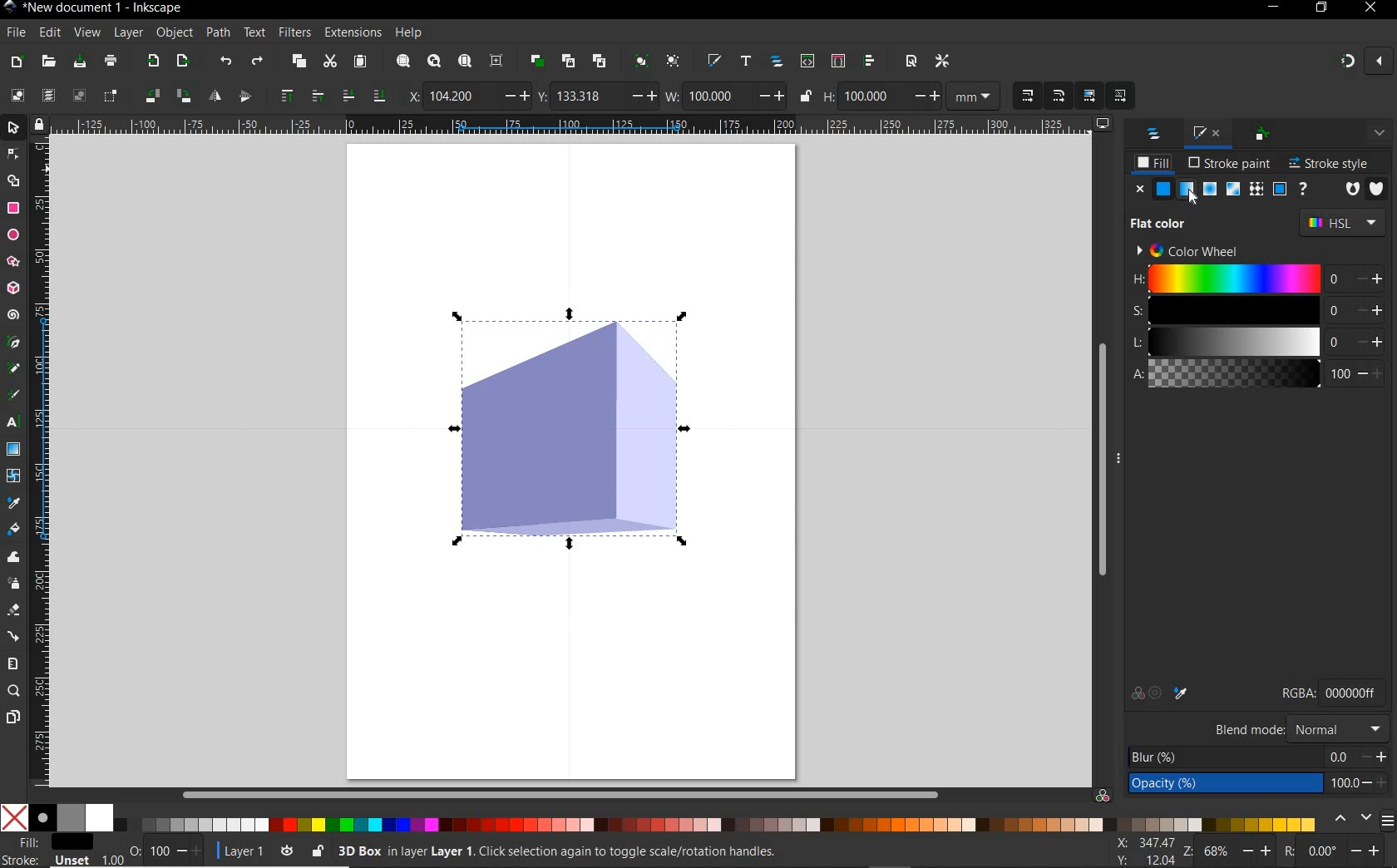 This screenshot has width=1397, height=868. What do you see at coordinates (569, 62) in the screenshot?
I see `CREATE CLONE` at bounding box center [569, 62].